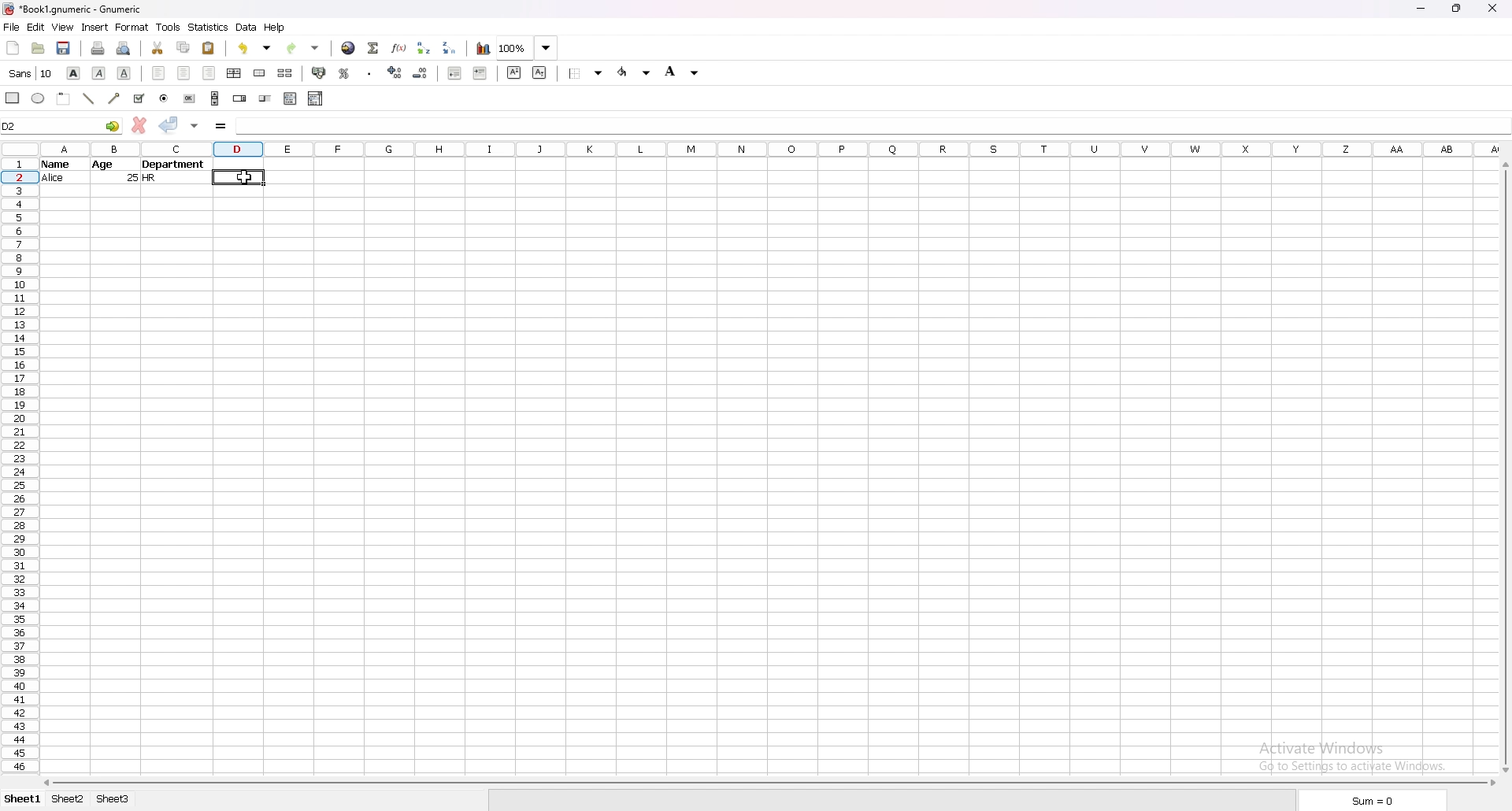 The image size is (1512, 811). I want to click on new, so click(12, 49).